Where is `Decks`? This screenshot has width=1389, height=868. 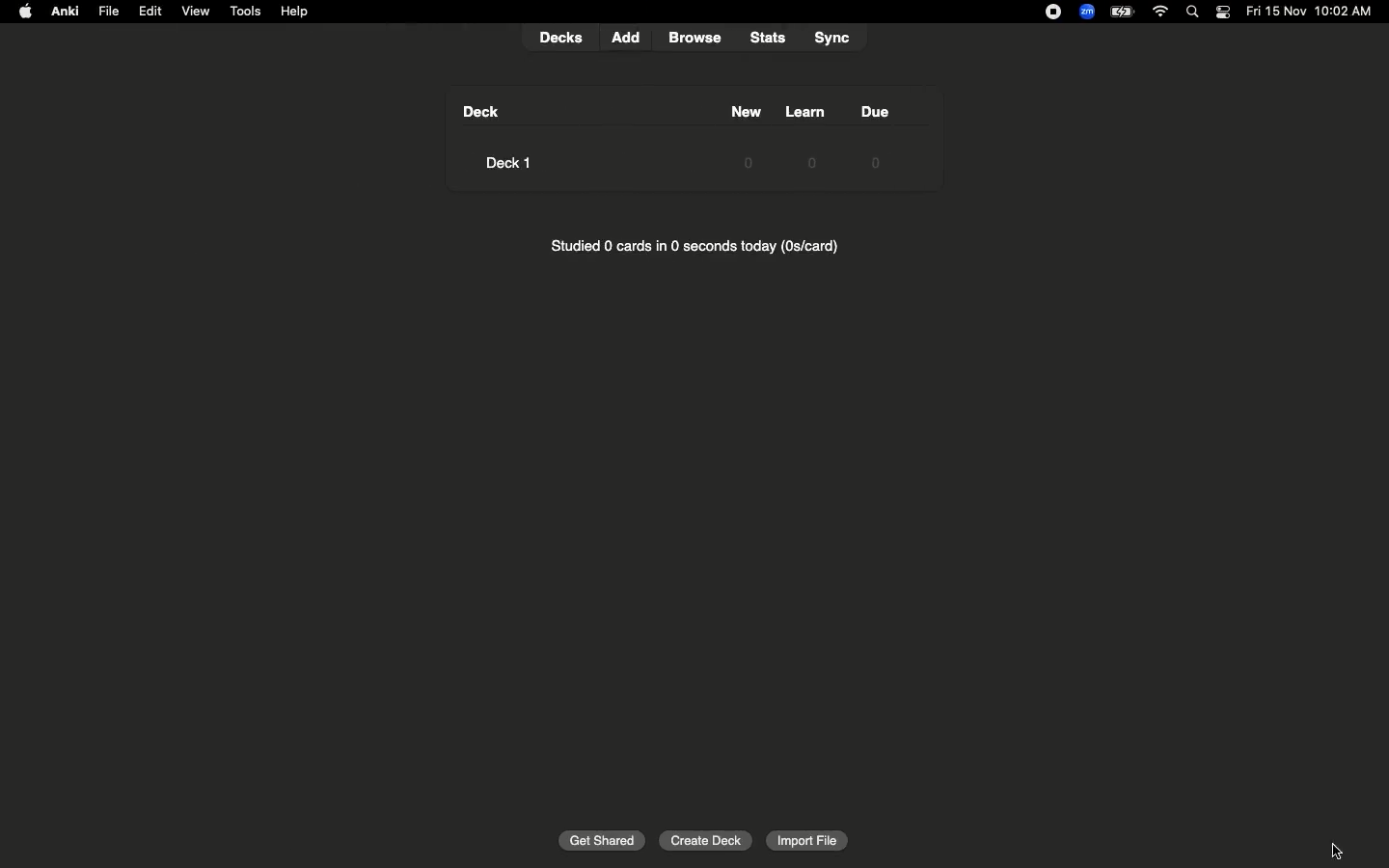
Decks is located at coordinates (561, 36).